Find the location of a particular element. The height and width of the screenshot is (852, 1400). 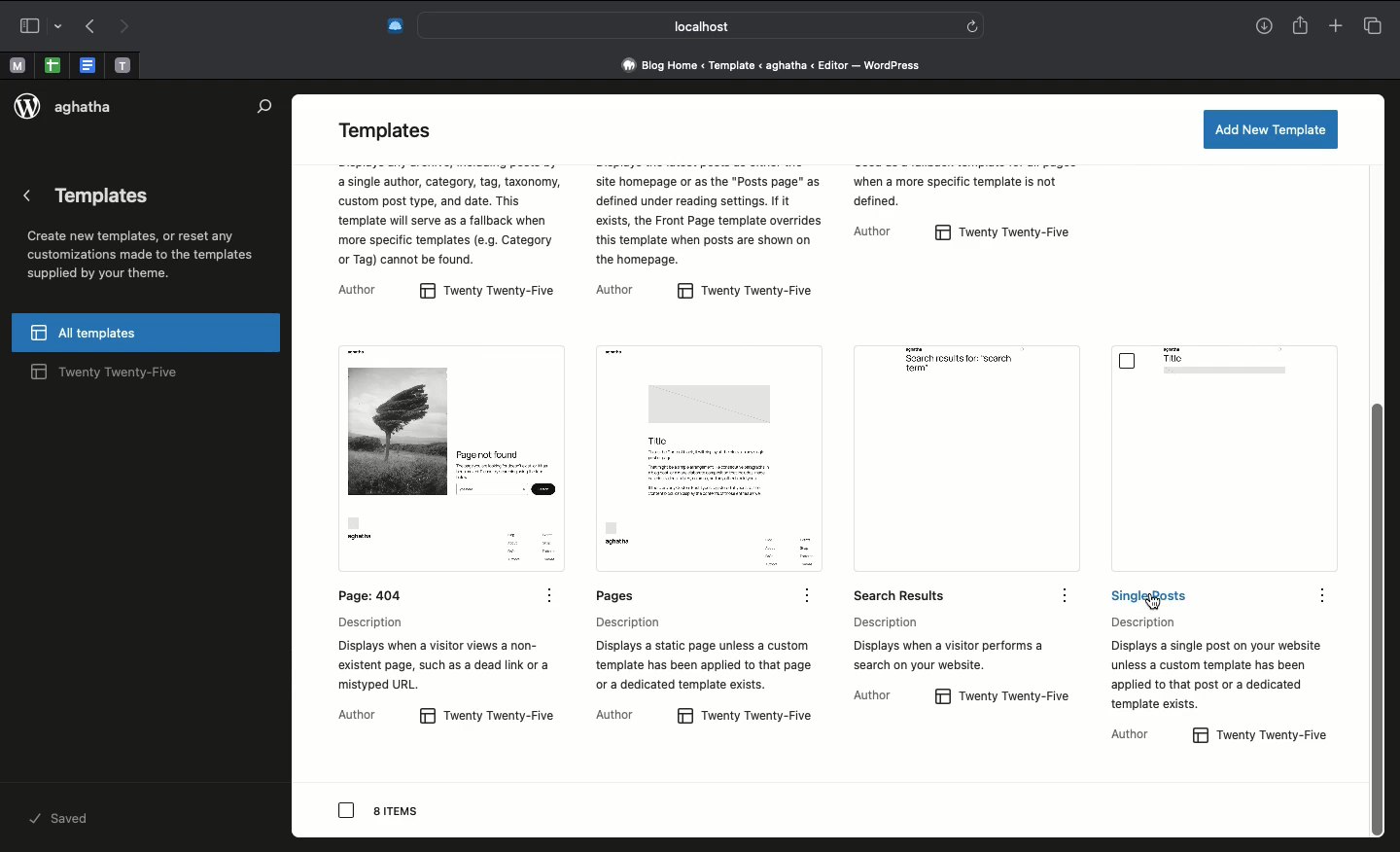

twenty twenty-five description is located at coordinates (976, 187).